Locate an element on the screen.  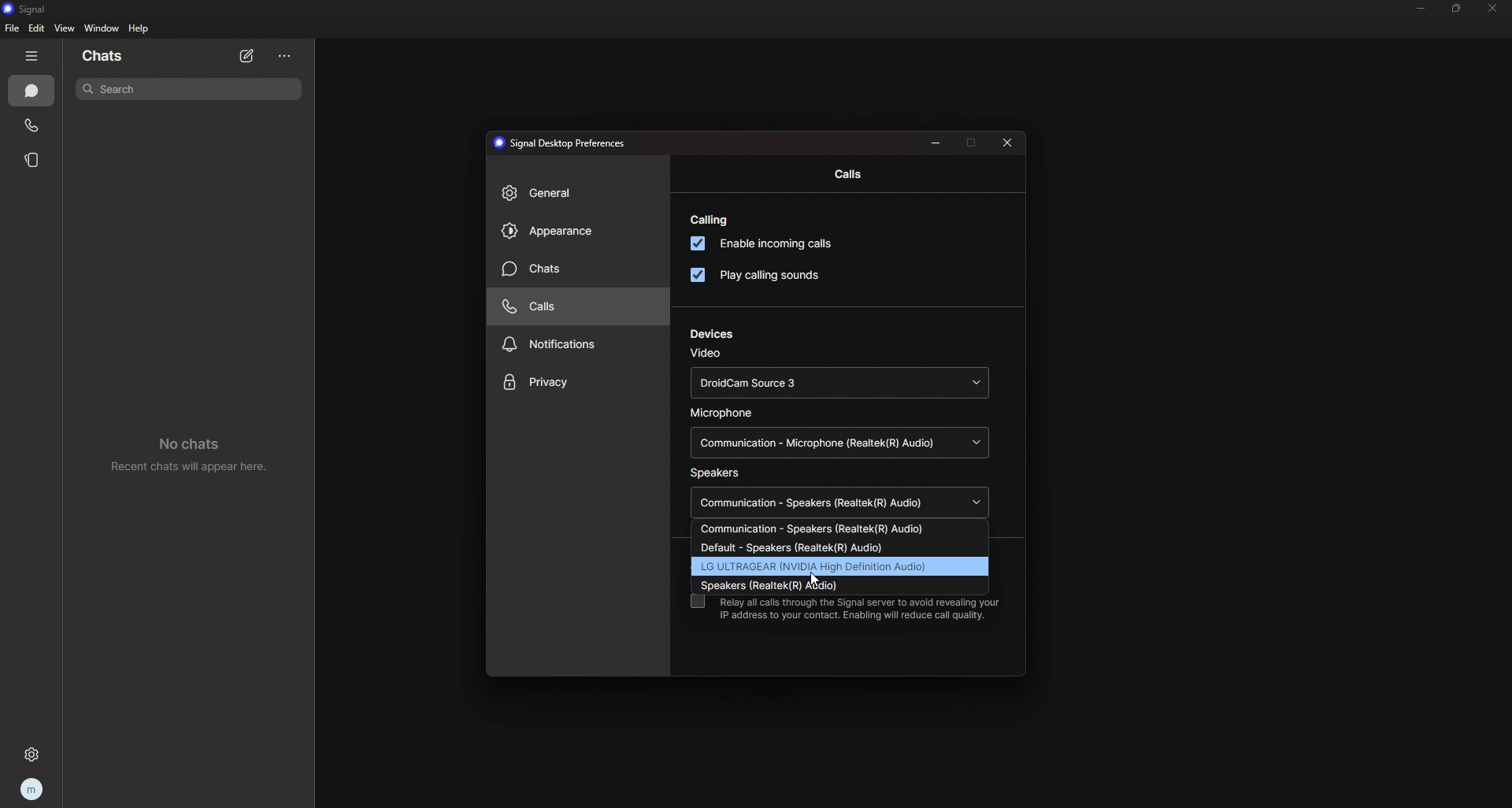
no chats recent chats will appear here is located at coordinates (197, 458).